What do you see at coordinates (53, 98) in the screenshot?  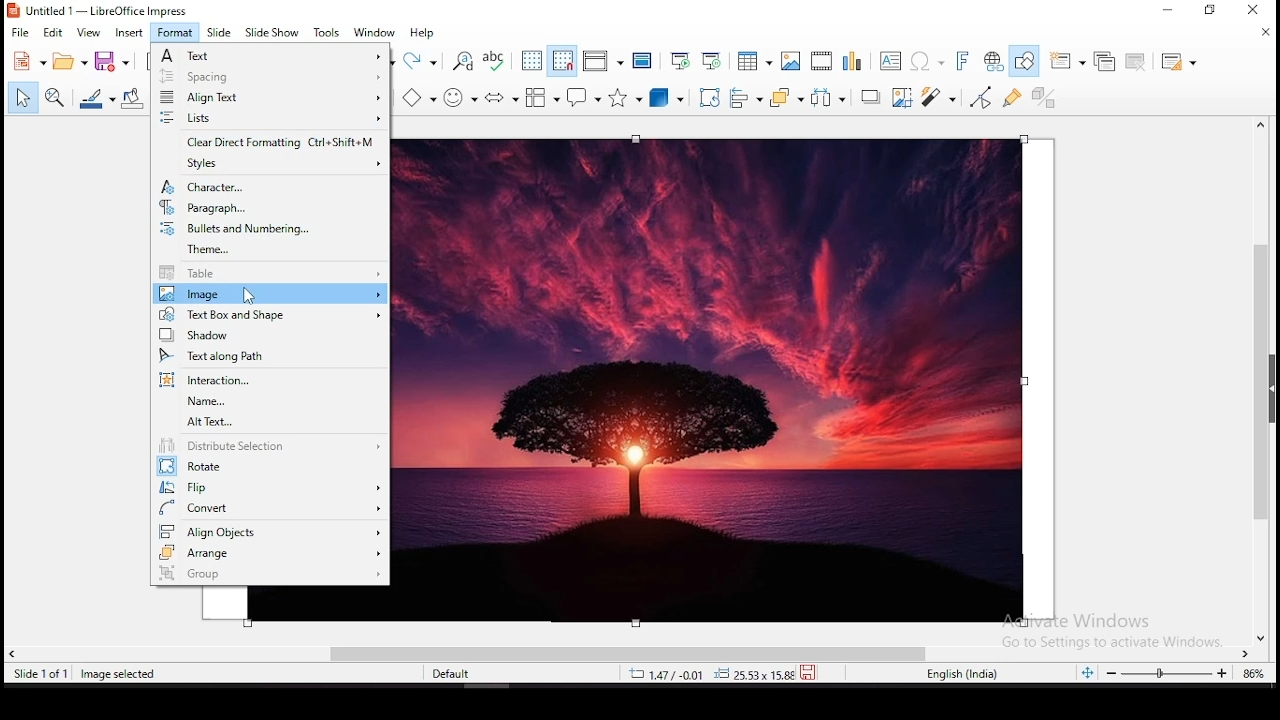 I see `zoom and pan` at bounding box center [53, 98].